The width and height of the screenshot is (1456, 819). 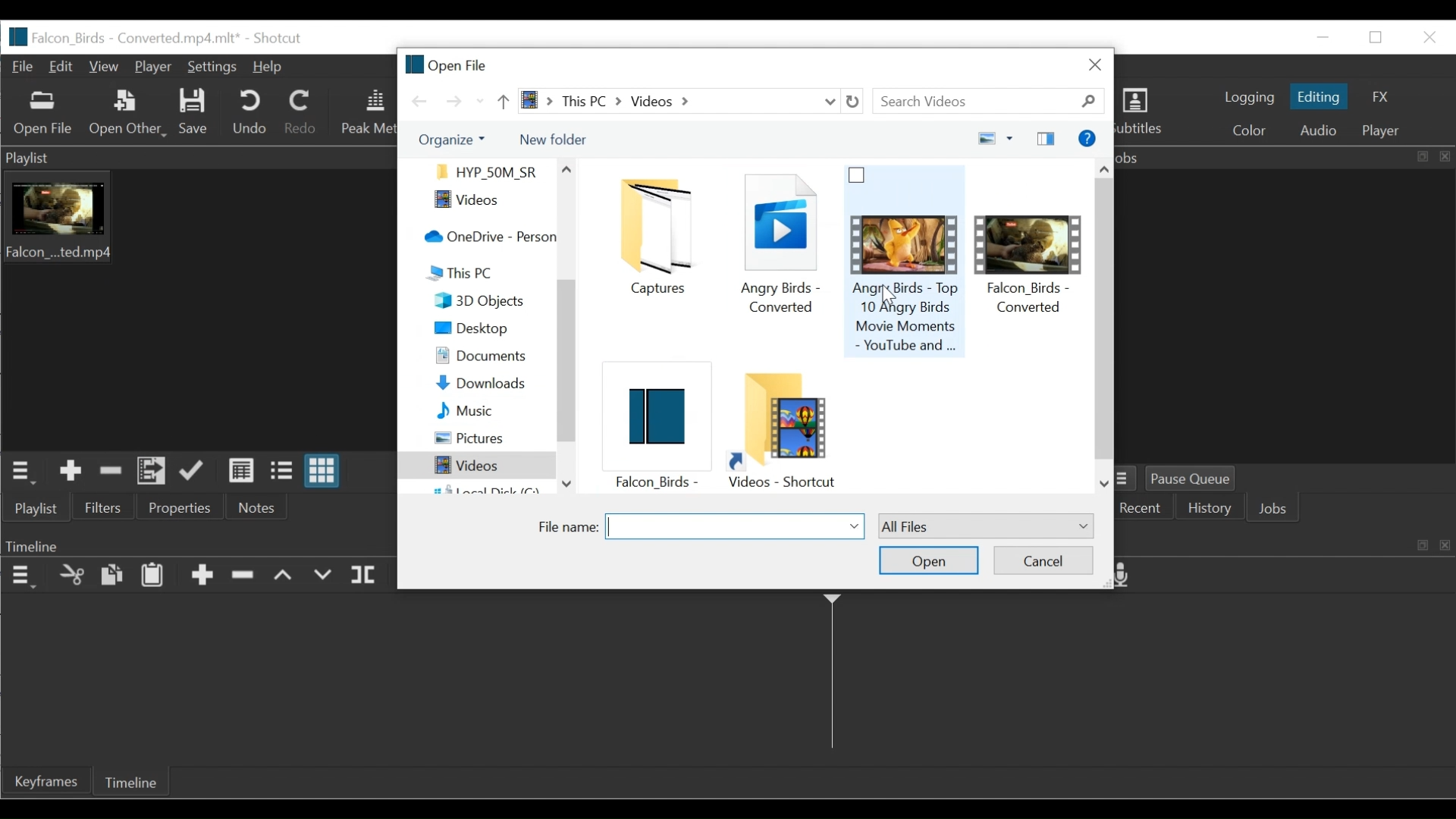 I want to click on Jobs Panel, so click(x=1285, y=158).